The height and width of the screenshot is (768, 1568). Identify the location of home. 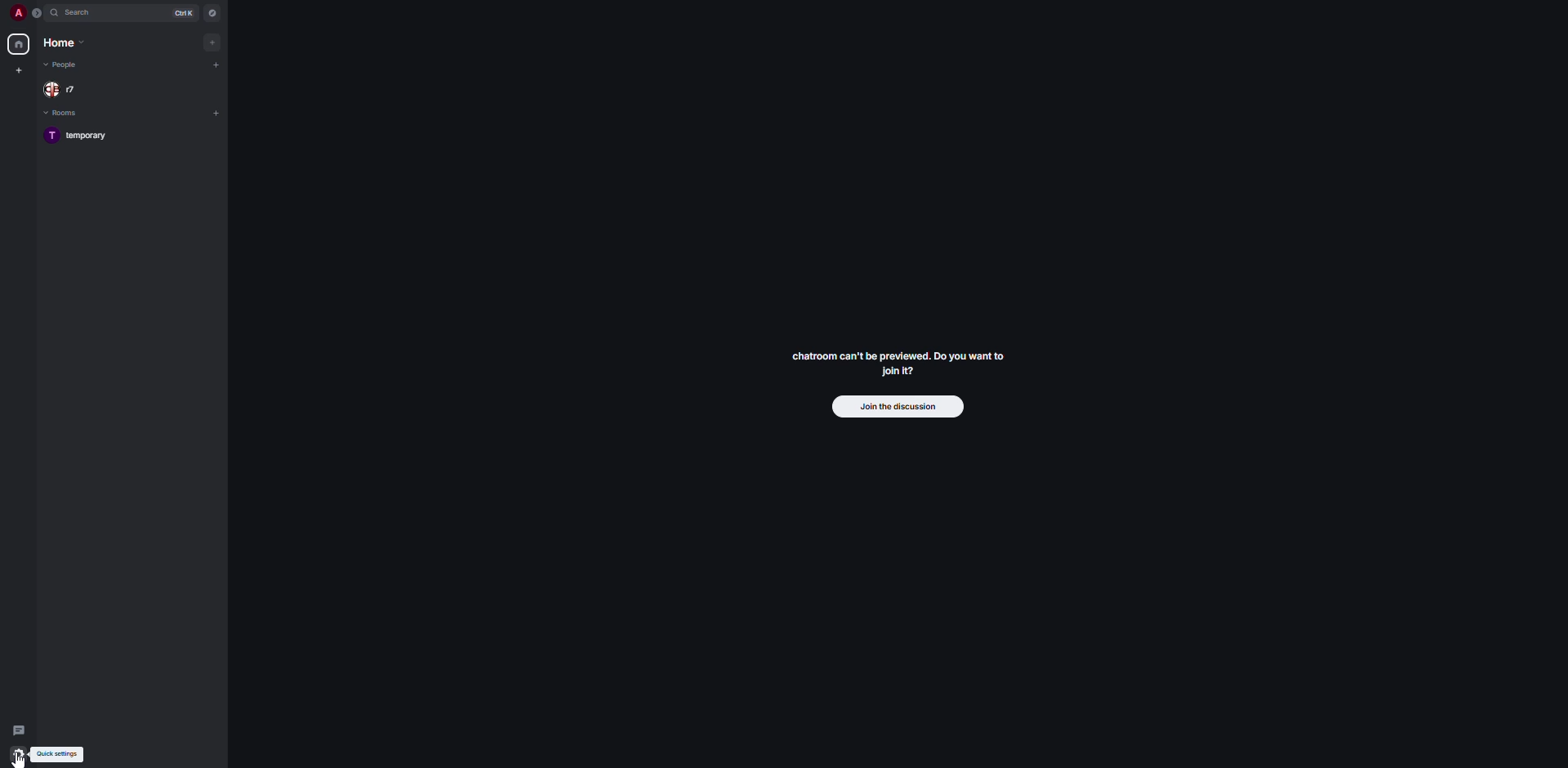
(20, 44).